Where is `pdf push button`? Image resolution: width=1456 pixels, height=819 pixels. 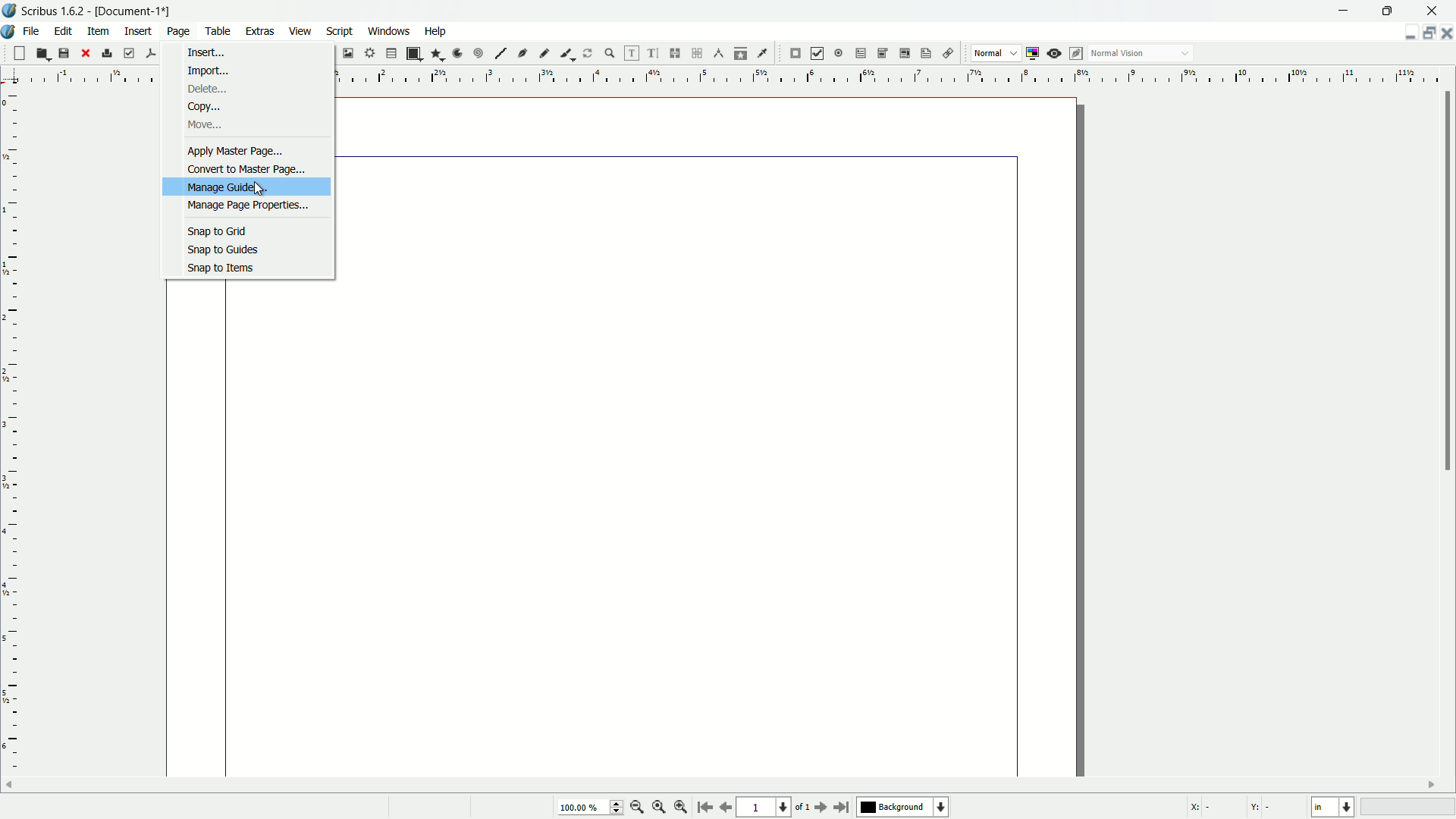
pdf push button is located at coordinates (795, 54).